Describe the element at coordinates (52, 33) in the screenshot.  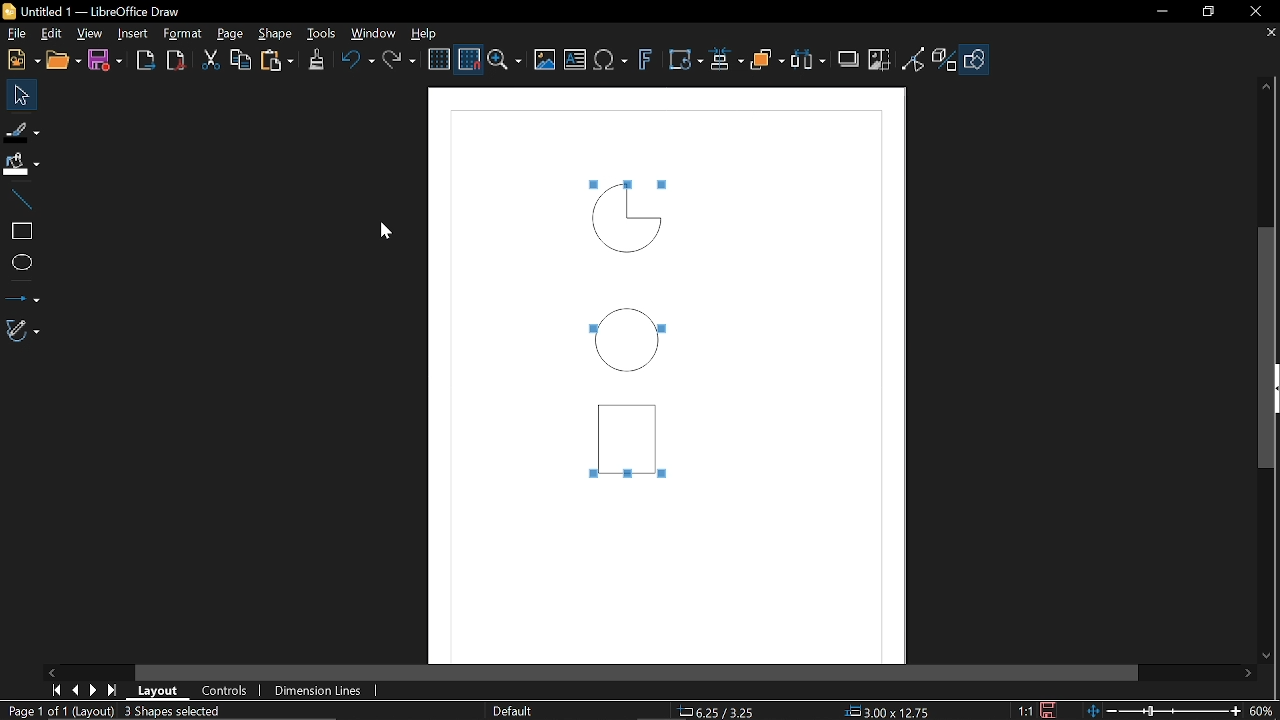
I see `Edit` at that location.